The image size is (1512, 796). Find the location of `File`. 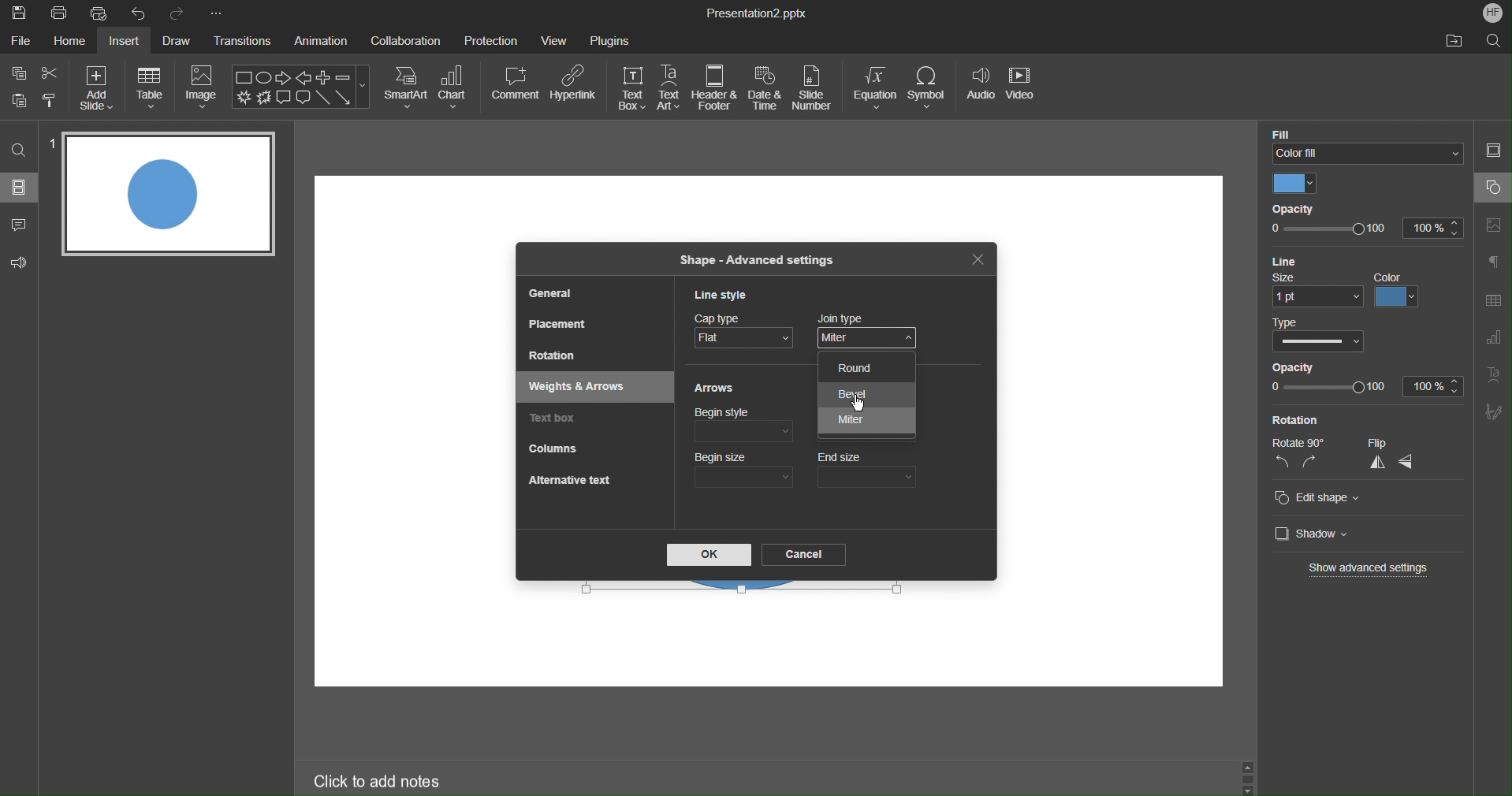

File is located at coordinates (20, 42).